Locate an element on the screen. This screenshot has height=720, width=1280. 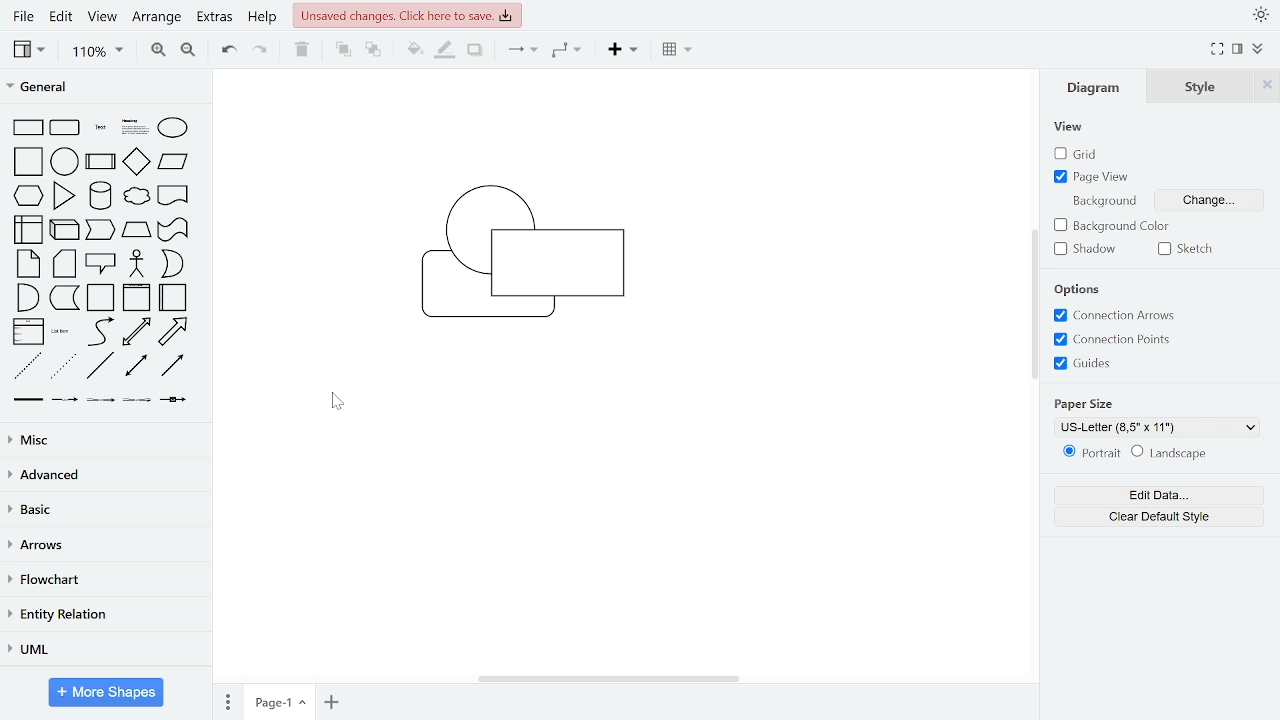
triangle is located at coordinates (62, 196).